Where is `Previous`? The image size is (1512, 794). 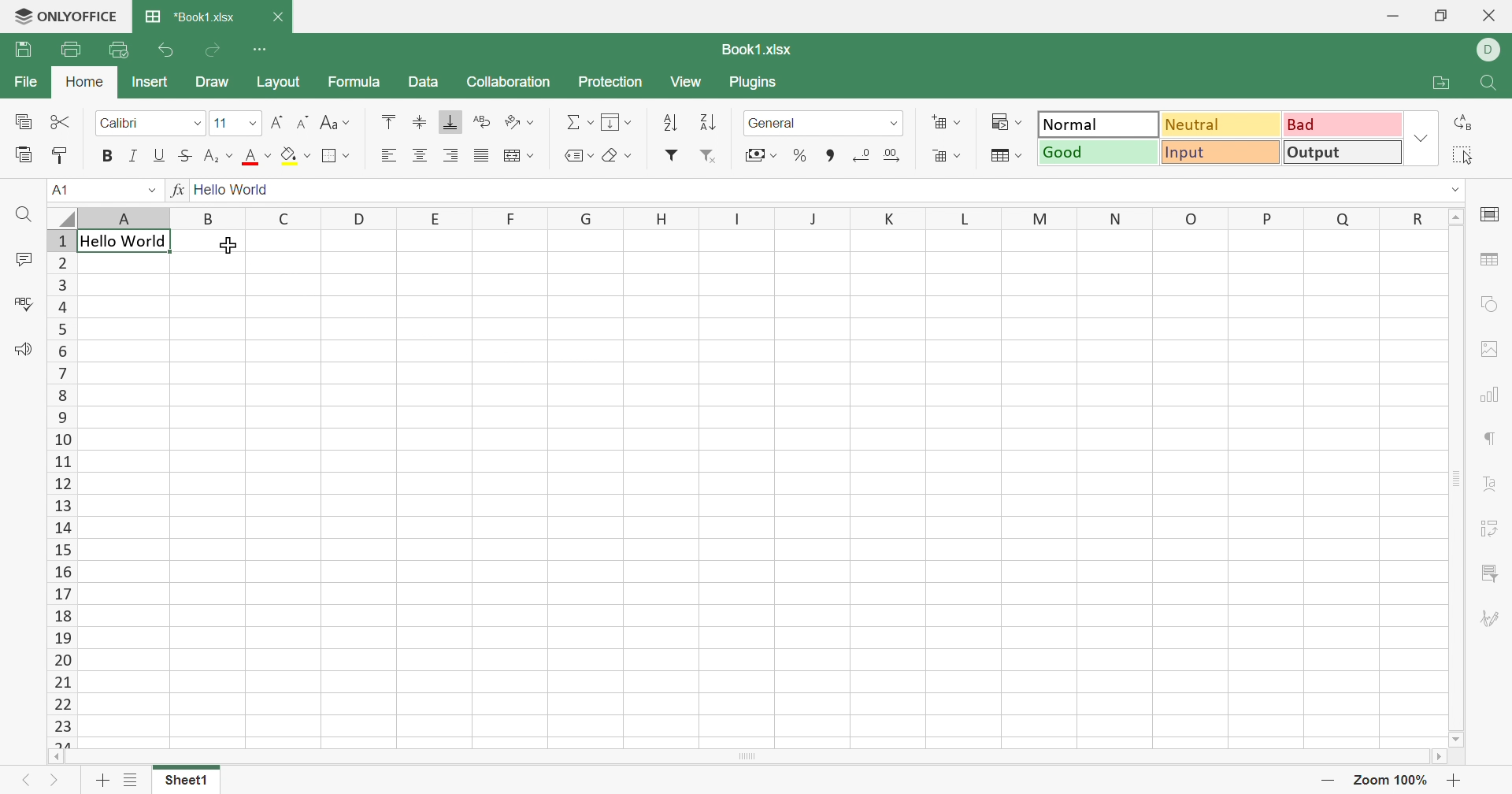
Previous is located at coordinates (28, 784).